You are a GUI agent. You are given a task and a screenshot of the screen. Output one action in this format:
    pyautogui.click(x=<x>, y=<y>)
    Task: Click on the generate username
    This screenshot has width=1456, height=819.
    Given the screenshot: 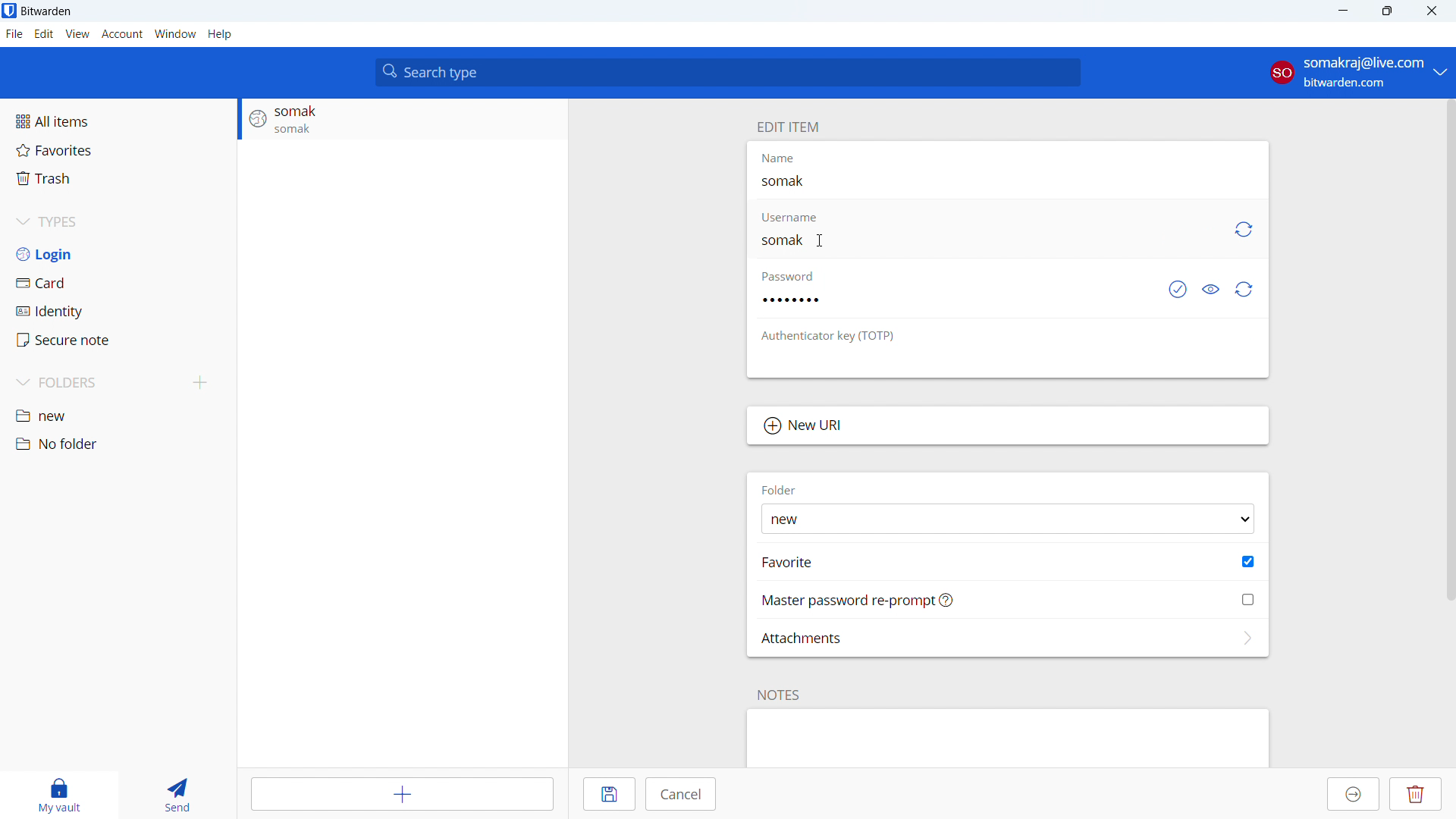 What is the action you would take?
    pyautogui.click(x=1242, y=230)
    